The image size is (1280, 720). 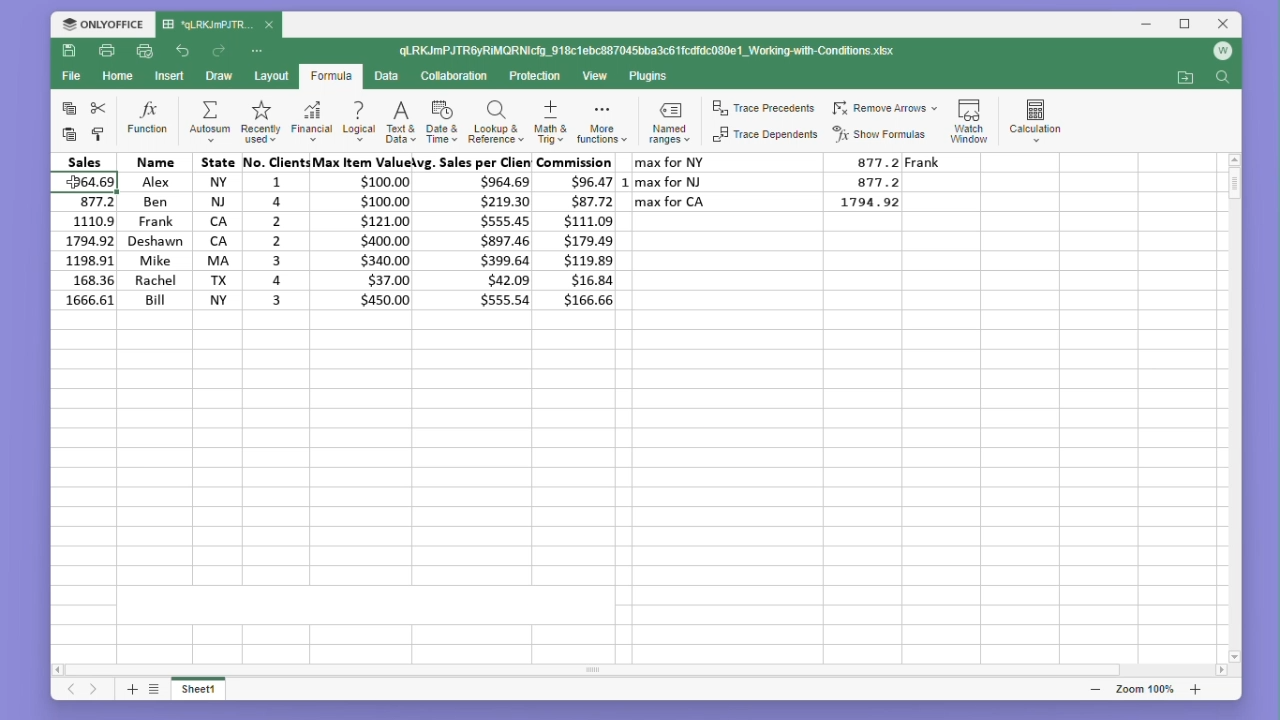 I want to click on scroll left, so click(x=61, y=672).